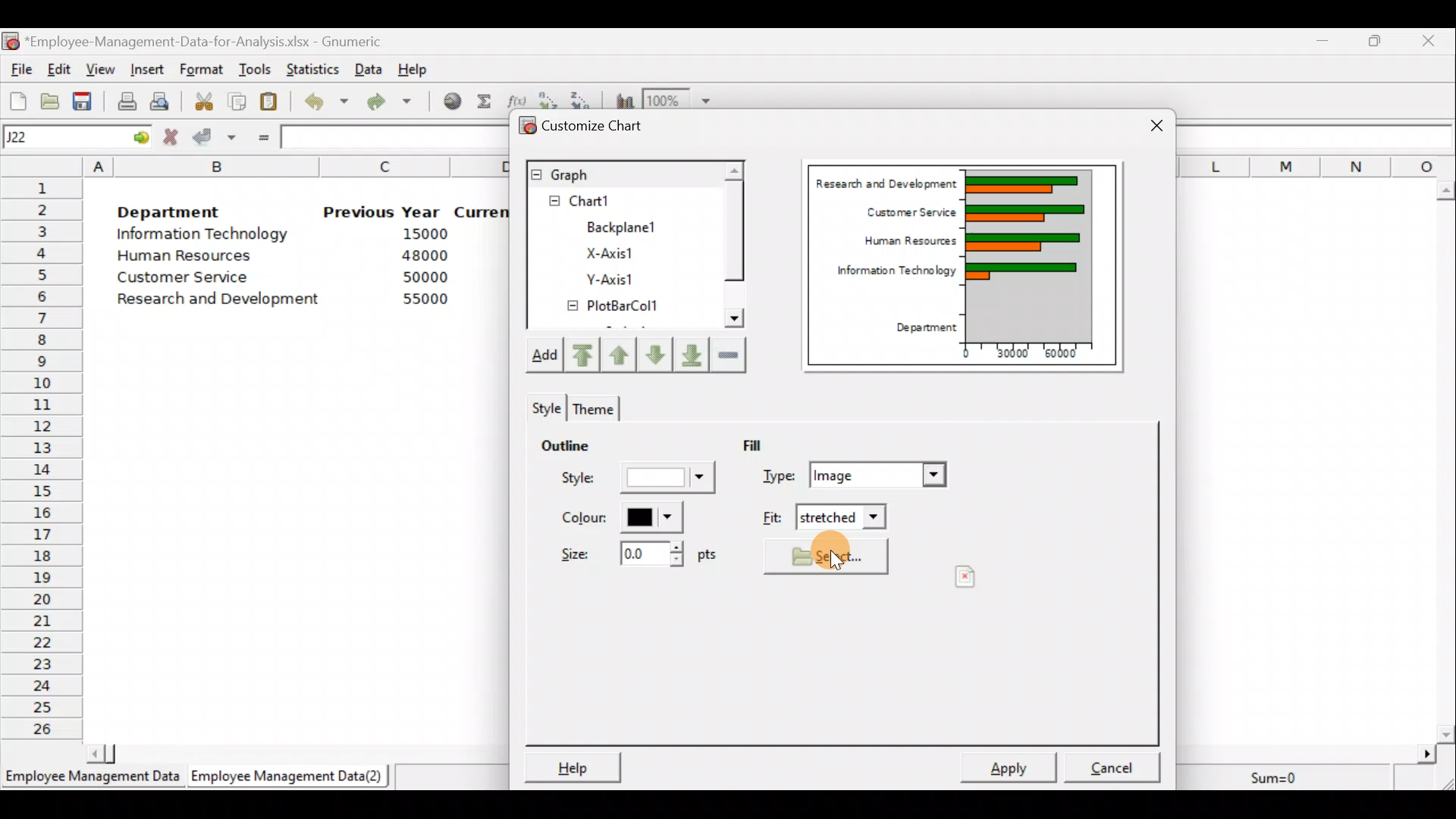 Image resolution: width=1456 pixels, height=819 pixels. Describe the element at coordinates (424, 257) in the screenshot. I see `48000` at that location.